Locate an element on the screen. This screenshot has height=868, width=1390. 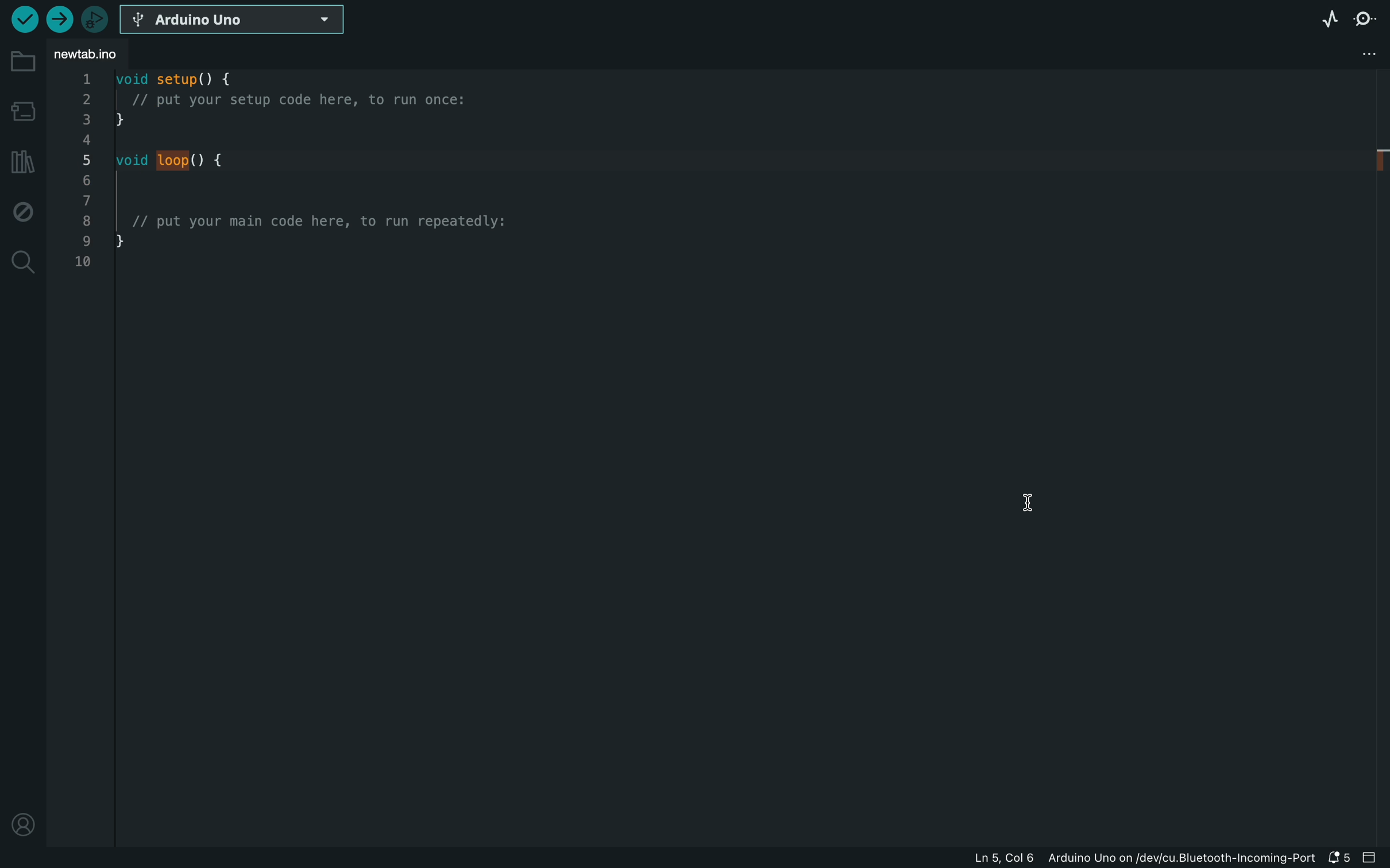
cursor is located at coordinates (1037, 494).